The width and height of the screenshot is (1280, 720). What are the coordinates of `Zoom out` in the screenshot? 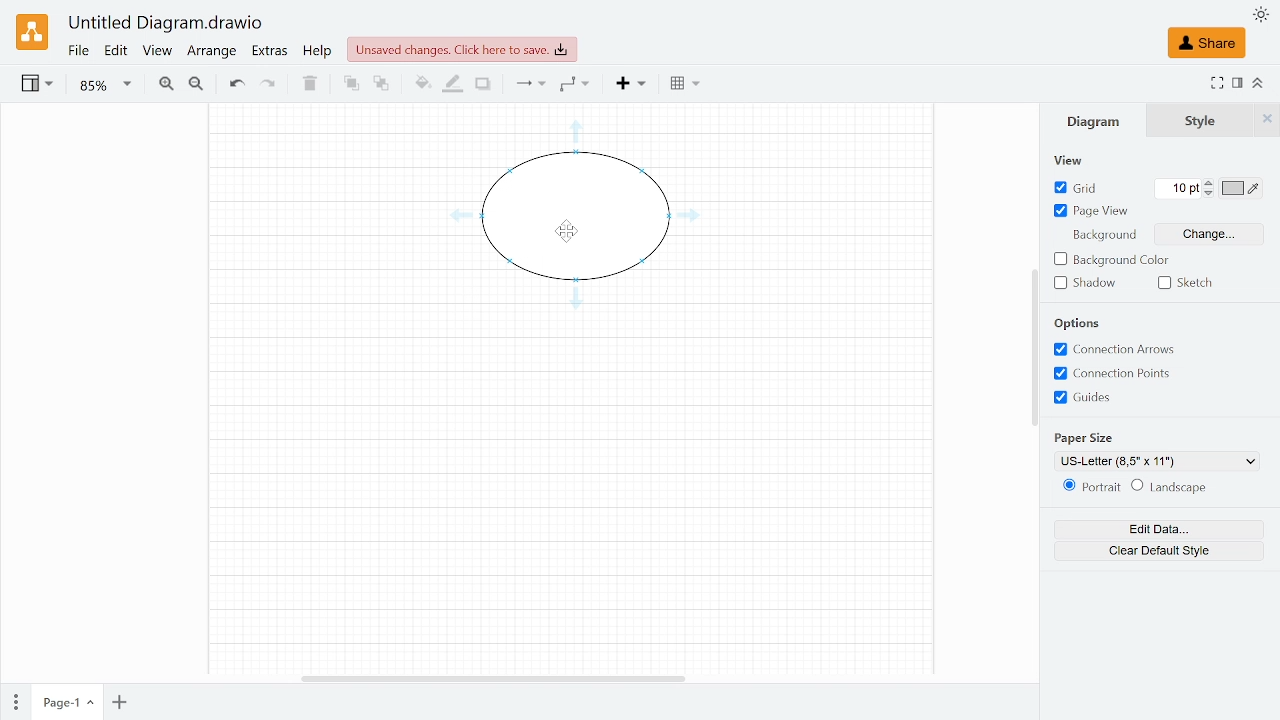 It's located at (199, 86).